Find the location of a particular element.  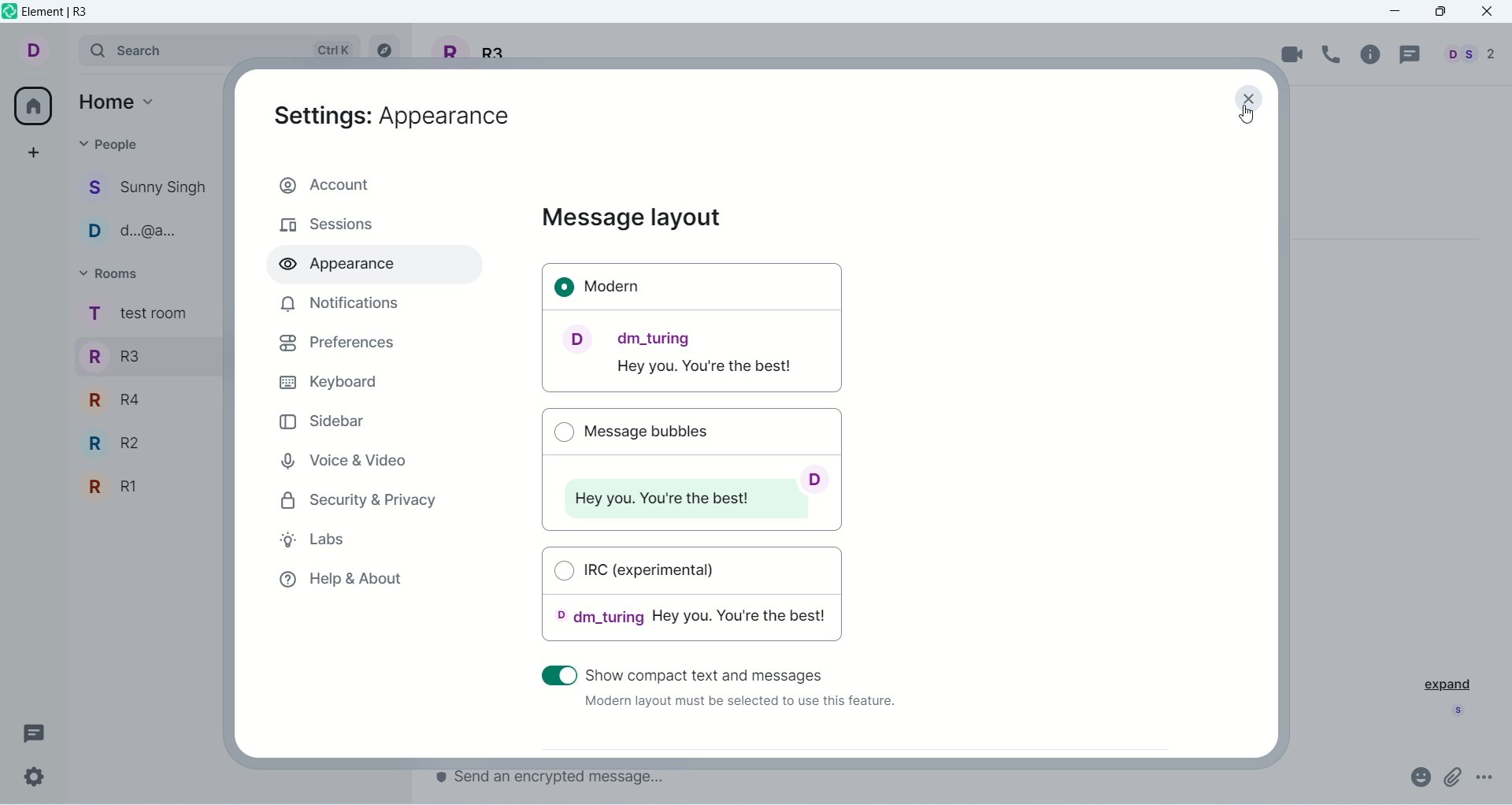

people is located at coordinates (1466, 54).